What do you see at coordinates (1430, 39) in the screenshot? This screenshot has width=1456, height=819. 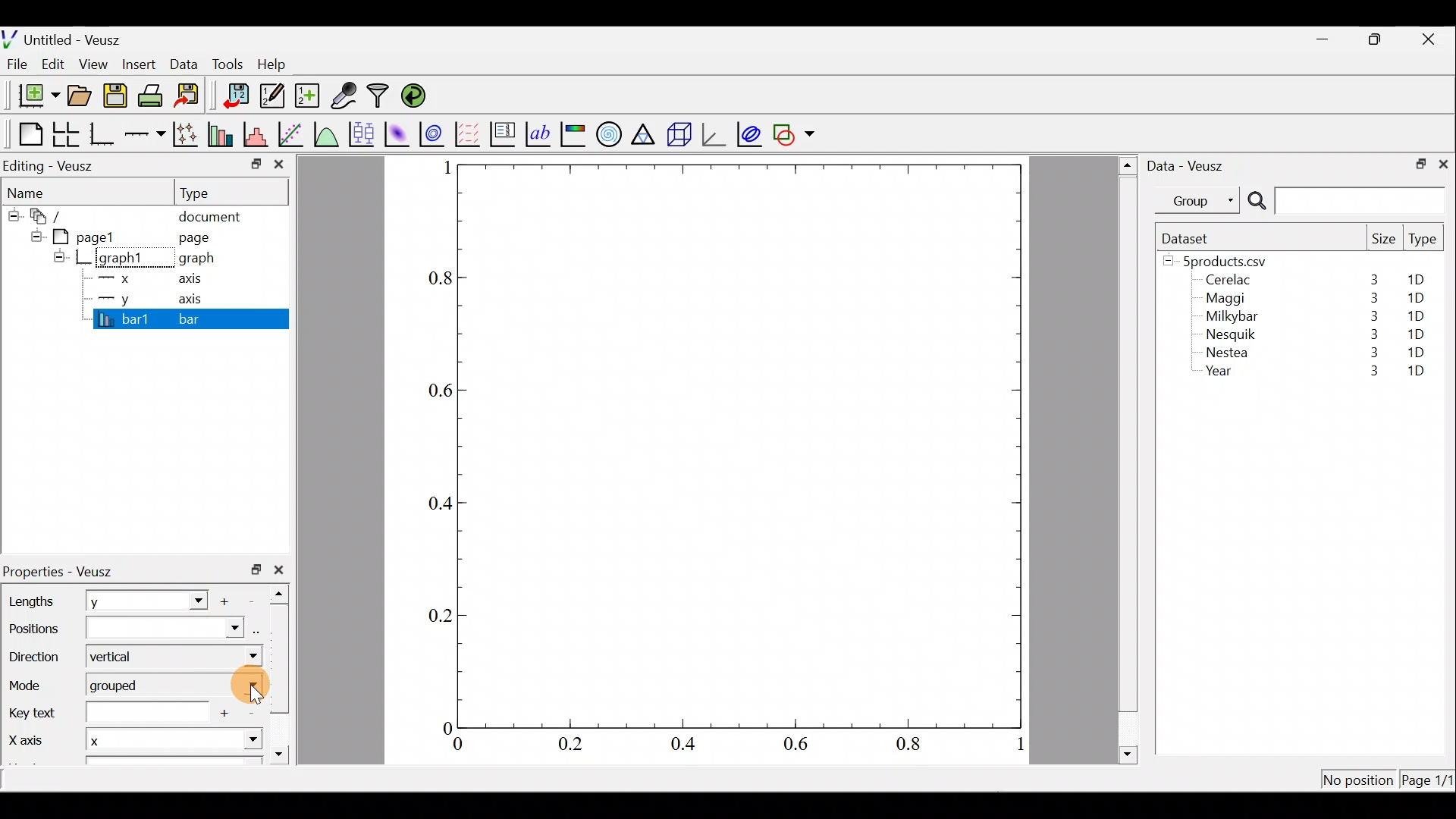 I see `close` at bounding box center [1430, 39].